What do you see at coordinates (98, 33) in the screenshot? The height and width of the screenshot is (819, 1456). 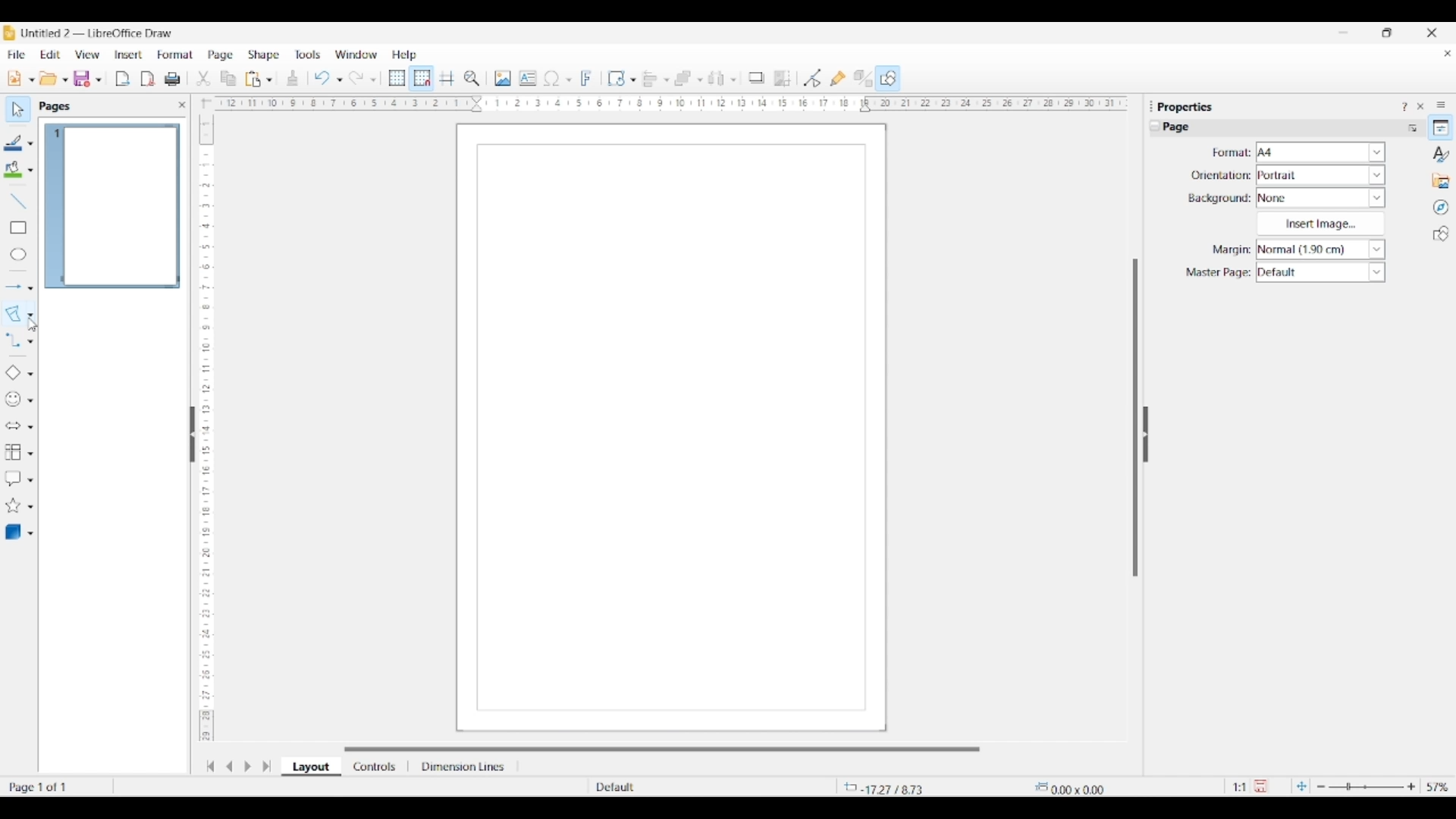 I see `Project and software name` at bounding box center [98, 33].